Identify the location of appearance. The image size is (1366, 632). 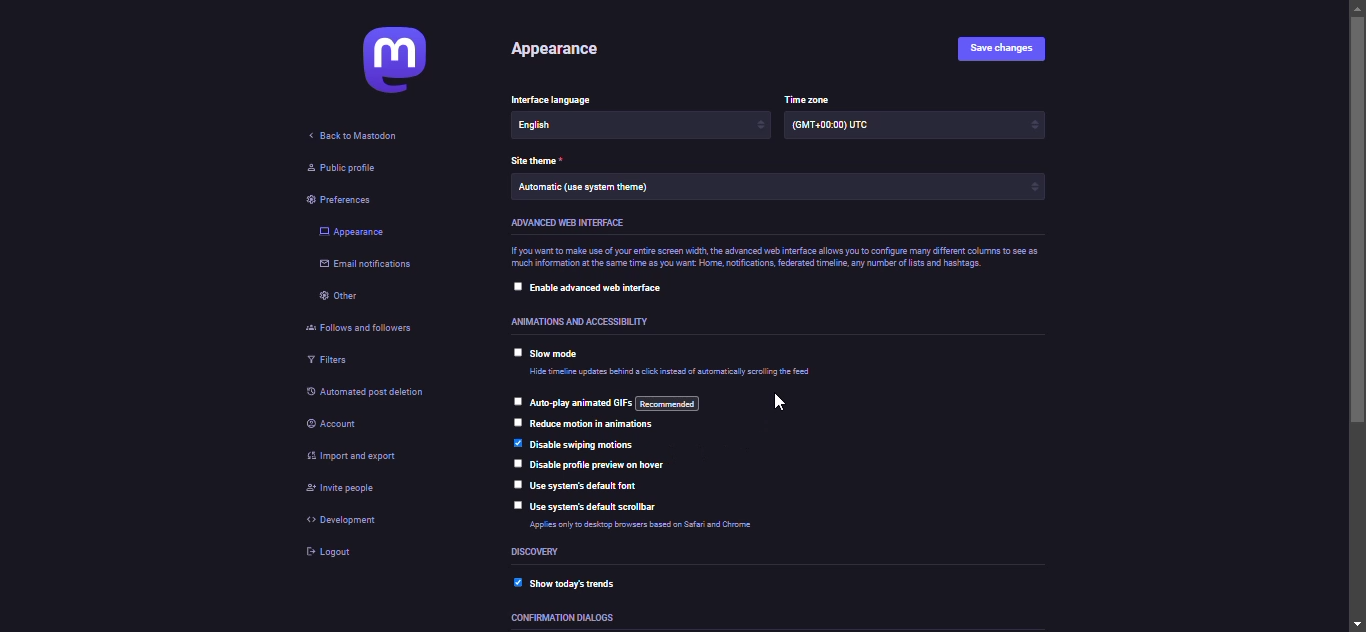
(556, 49).